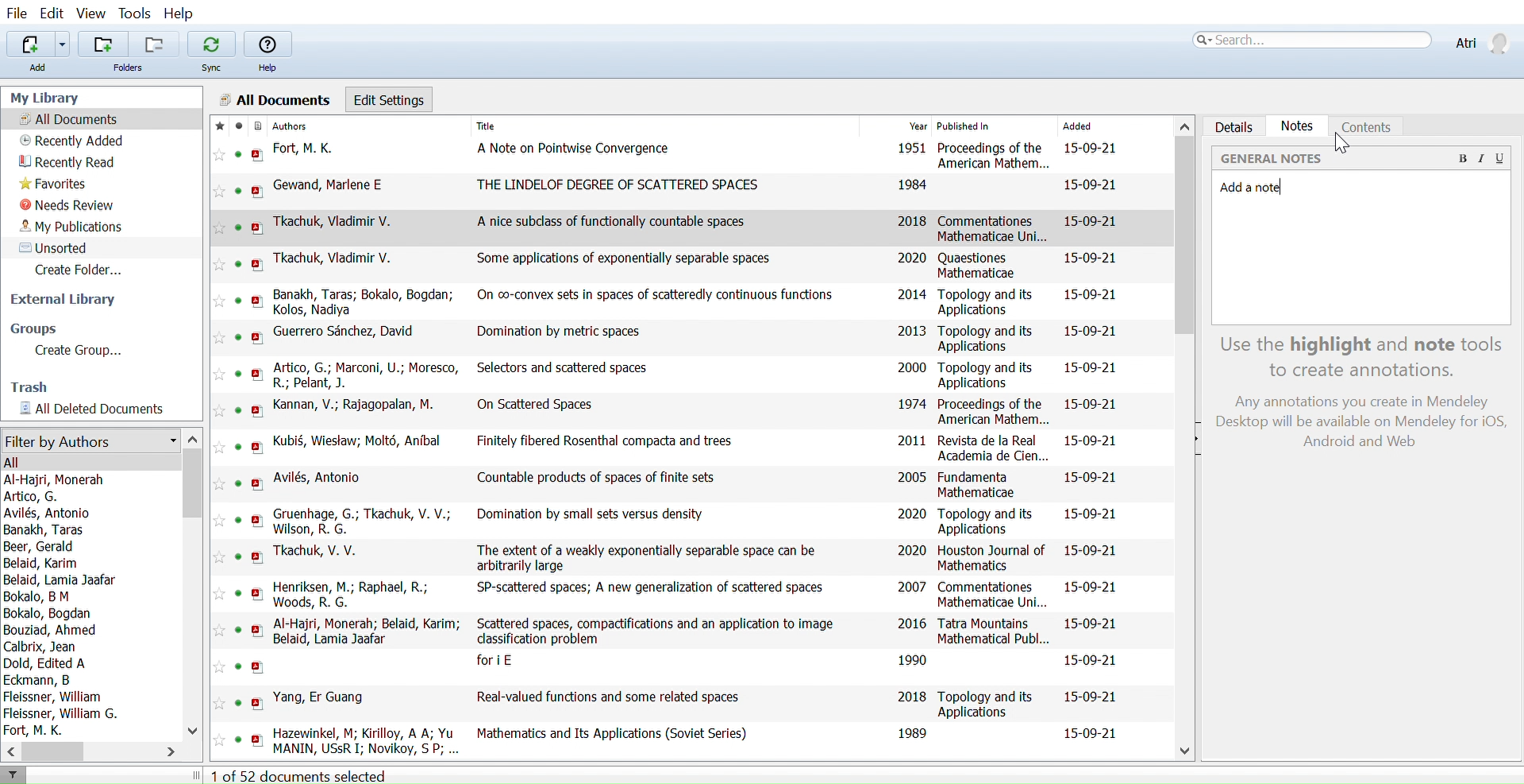  I want to click on Topology and its Applications, so click(987, 302).